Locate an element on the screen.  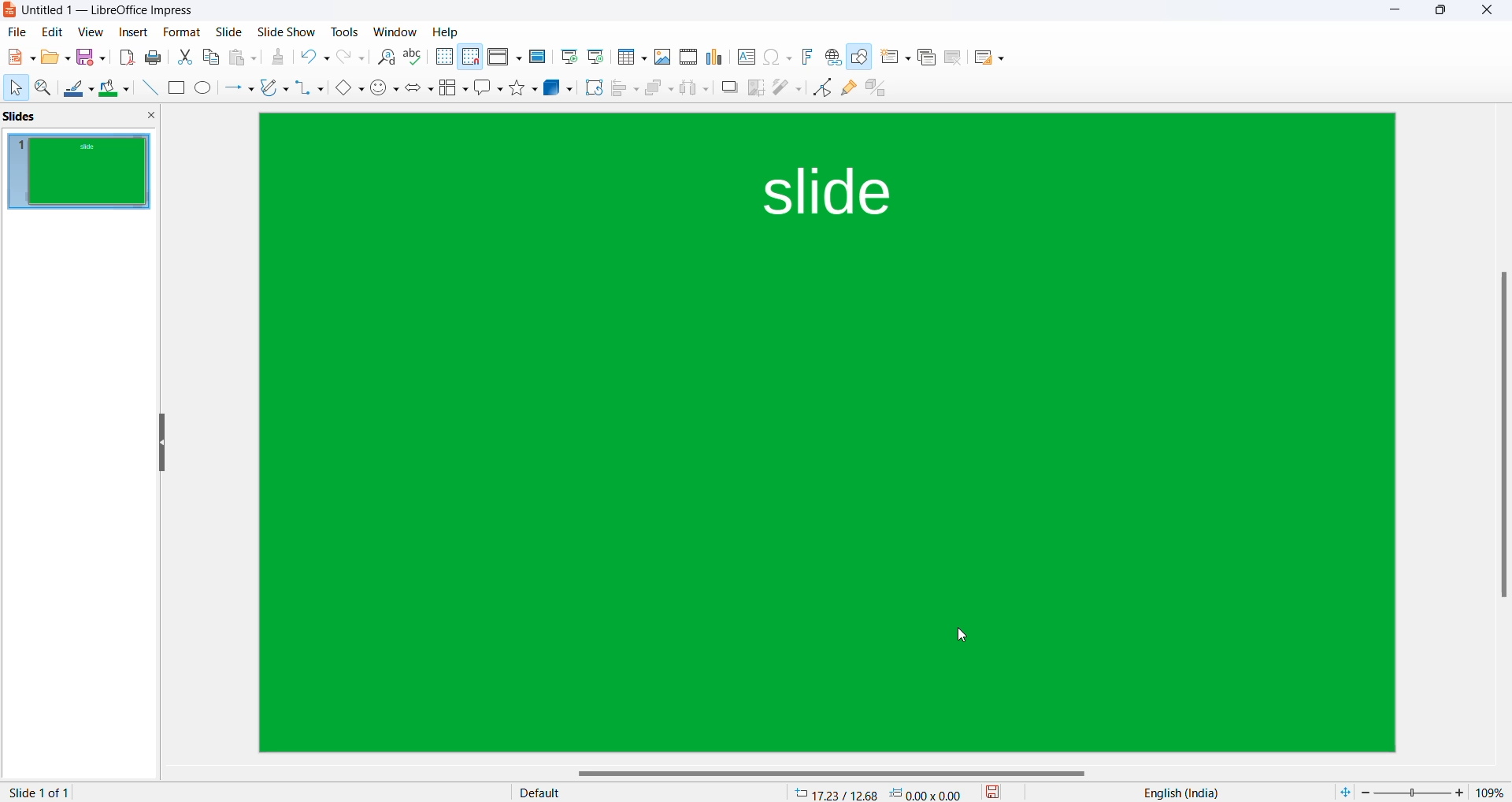
print is located at coordinates (157, 57).